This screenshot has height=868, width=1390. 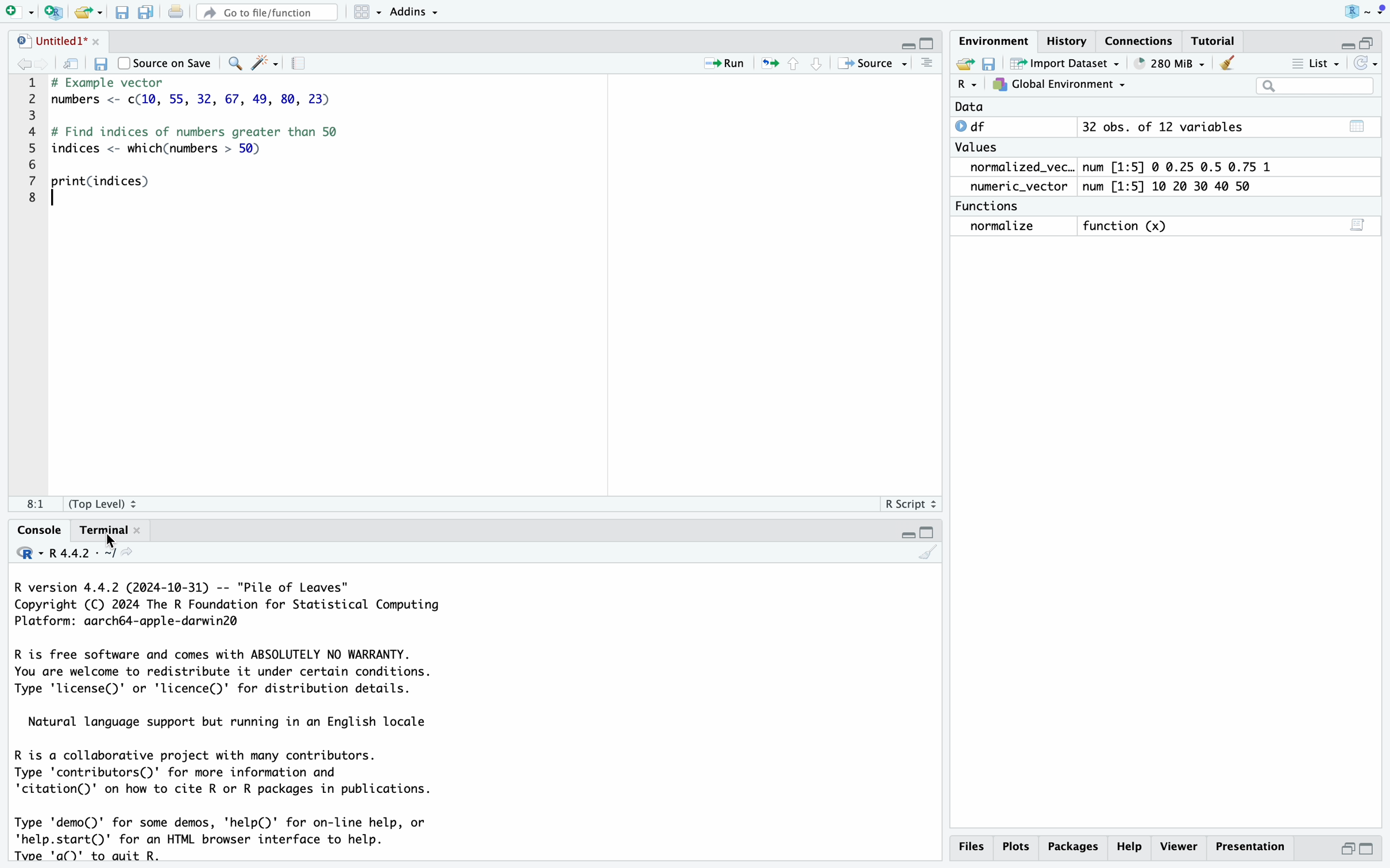 I want to click on imbers <- c(1@, 55, 32, 67, 49, 80, :
Find indices of numbers greater thar
dices <- which(numbers > 50)
"int(indices), so click(x=217, y=147).